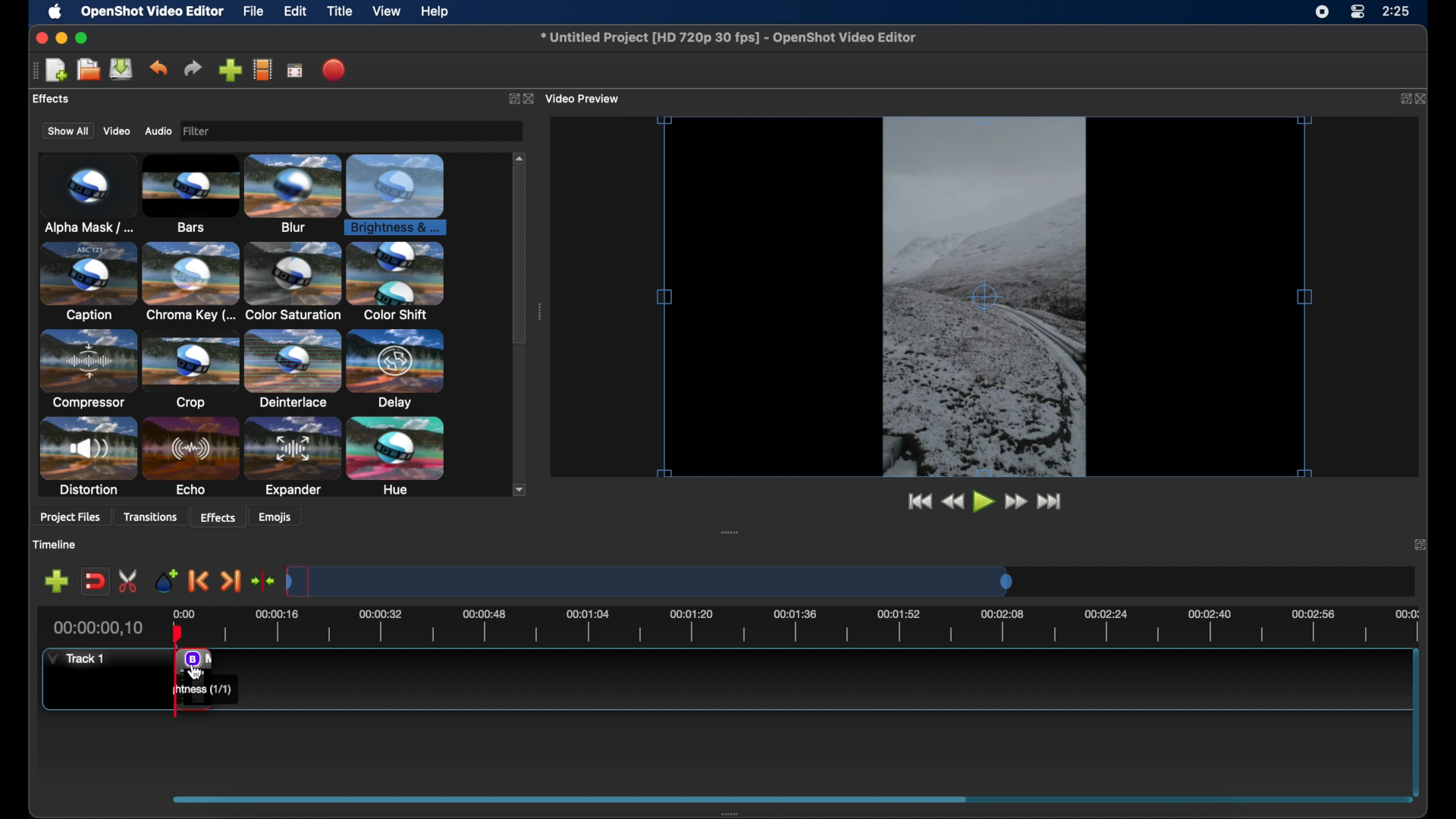  What do you see at coordinates (86, 283) in the screenshot?
I see `caption` at bounding box center [86, 283].